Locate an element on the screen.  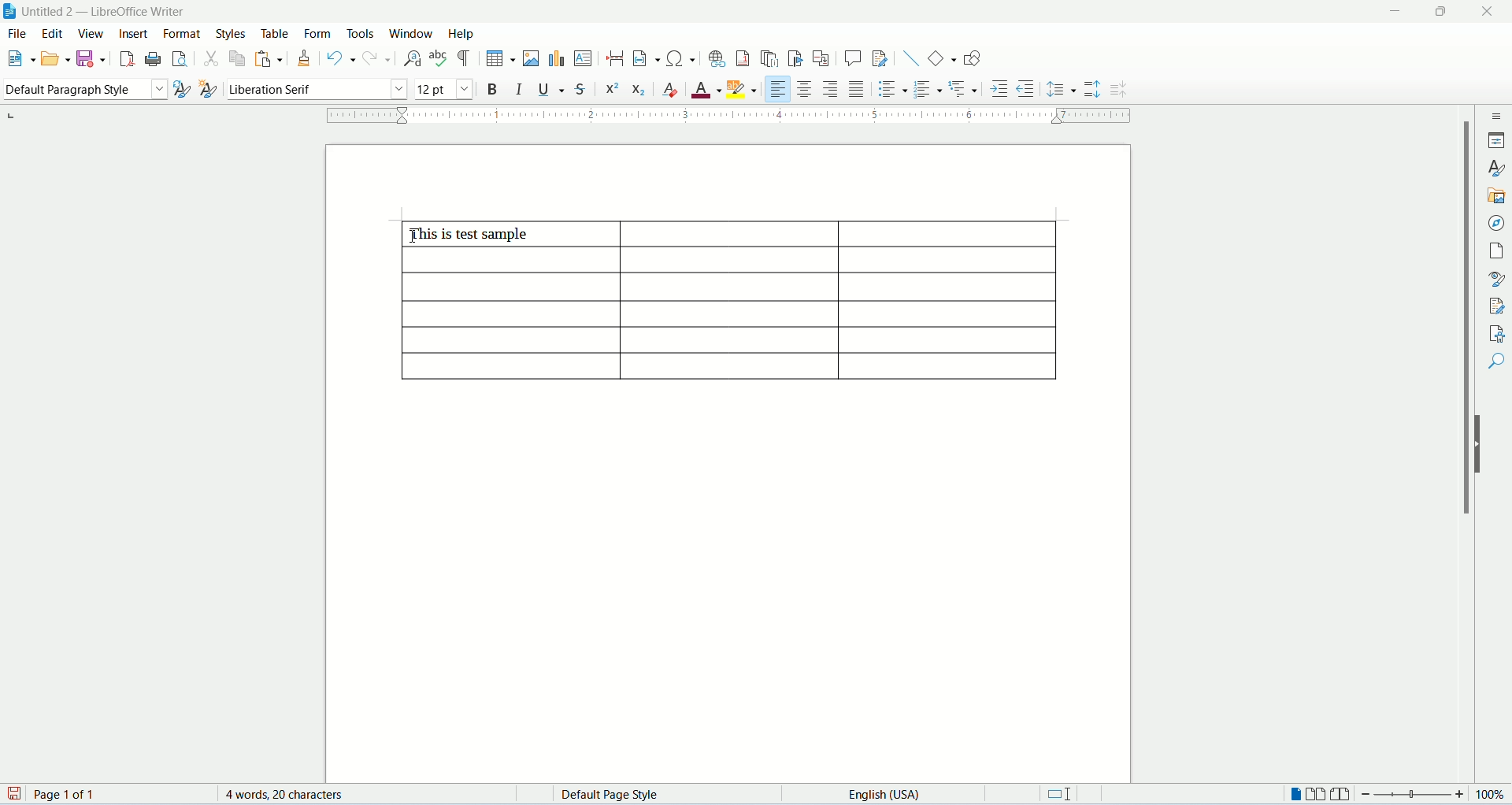
character highlighting is located at coordinates (741, 88).